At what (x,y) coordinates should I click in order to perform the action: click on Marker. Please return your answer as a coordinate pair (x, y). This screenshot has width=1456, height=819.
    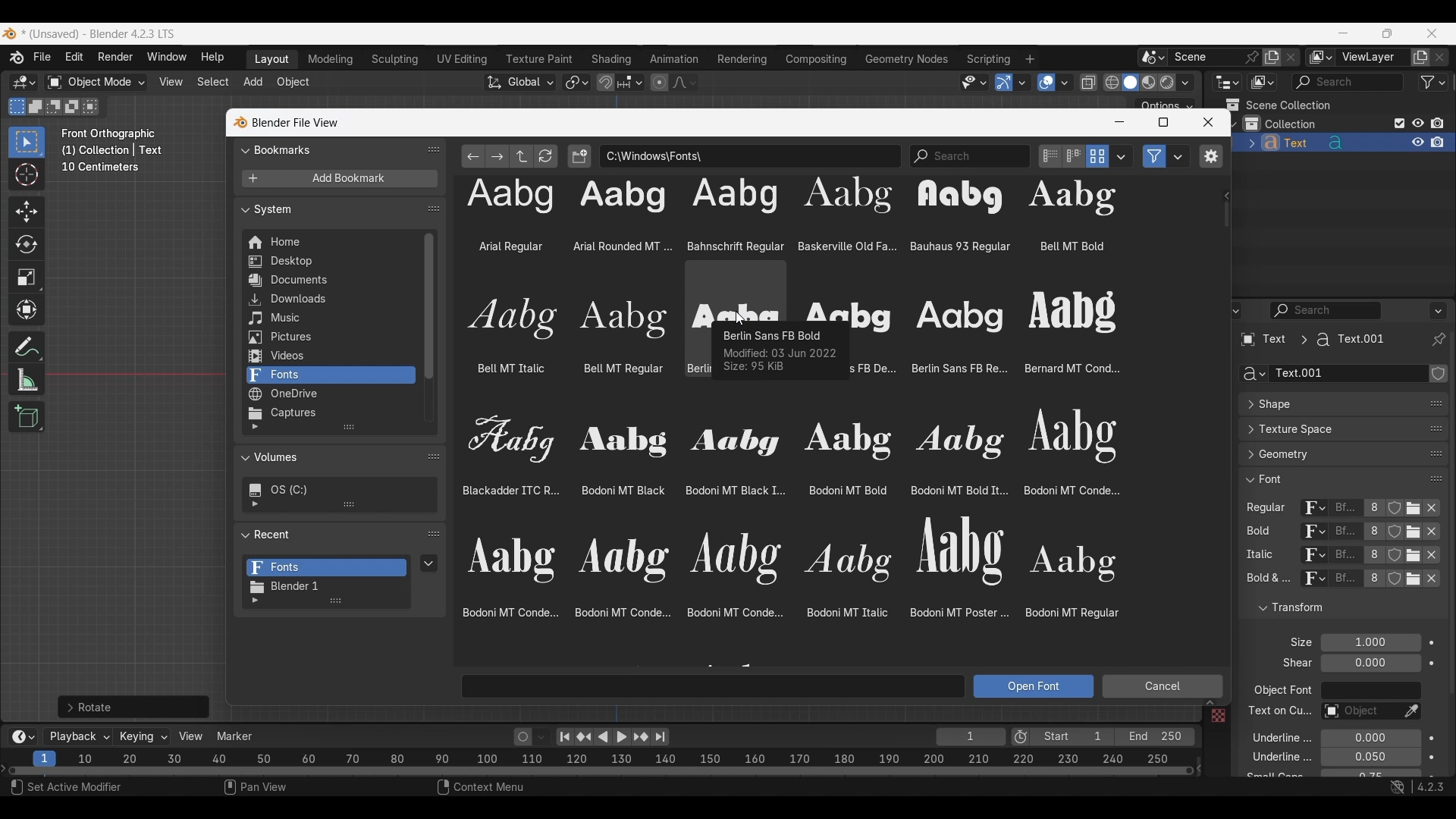
    Looking at the image, I should click on (235, 736).